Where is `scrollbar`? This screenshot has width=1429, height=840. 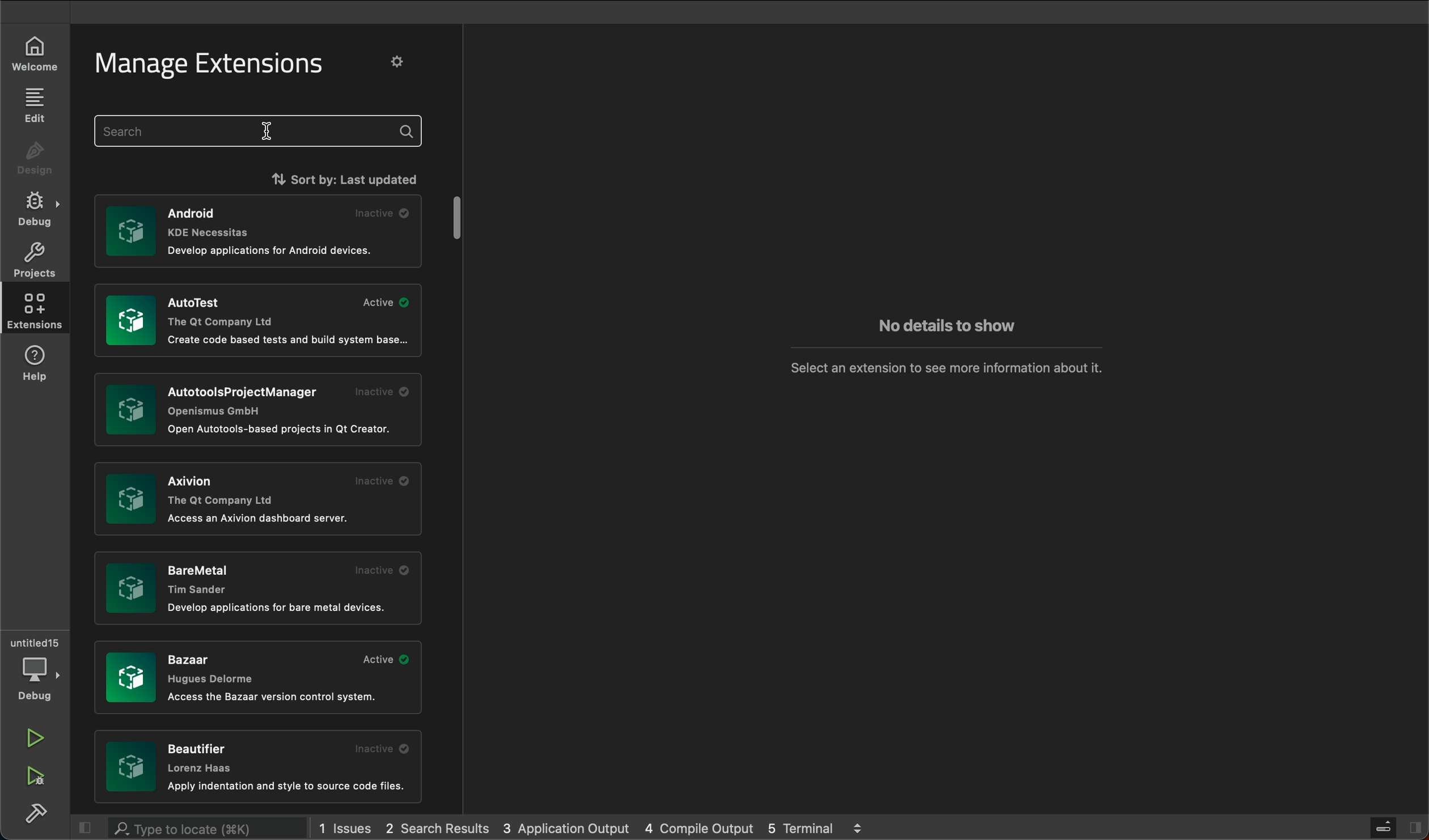 scrollbar is located at coordinates (459, 215).